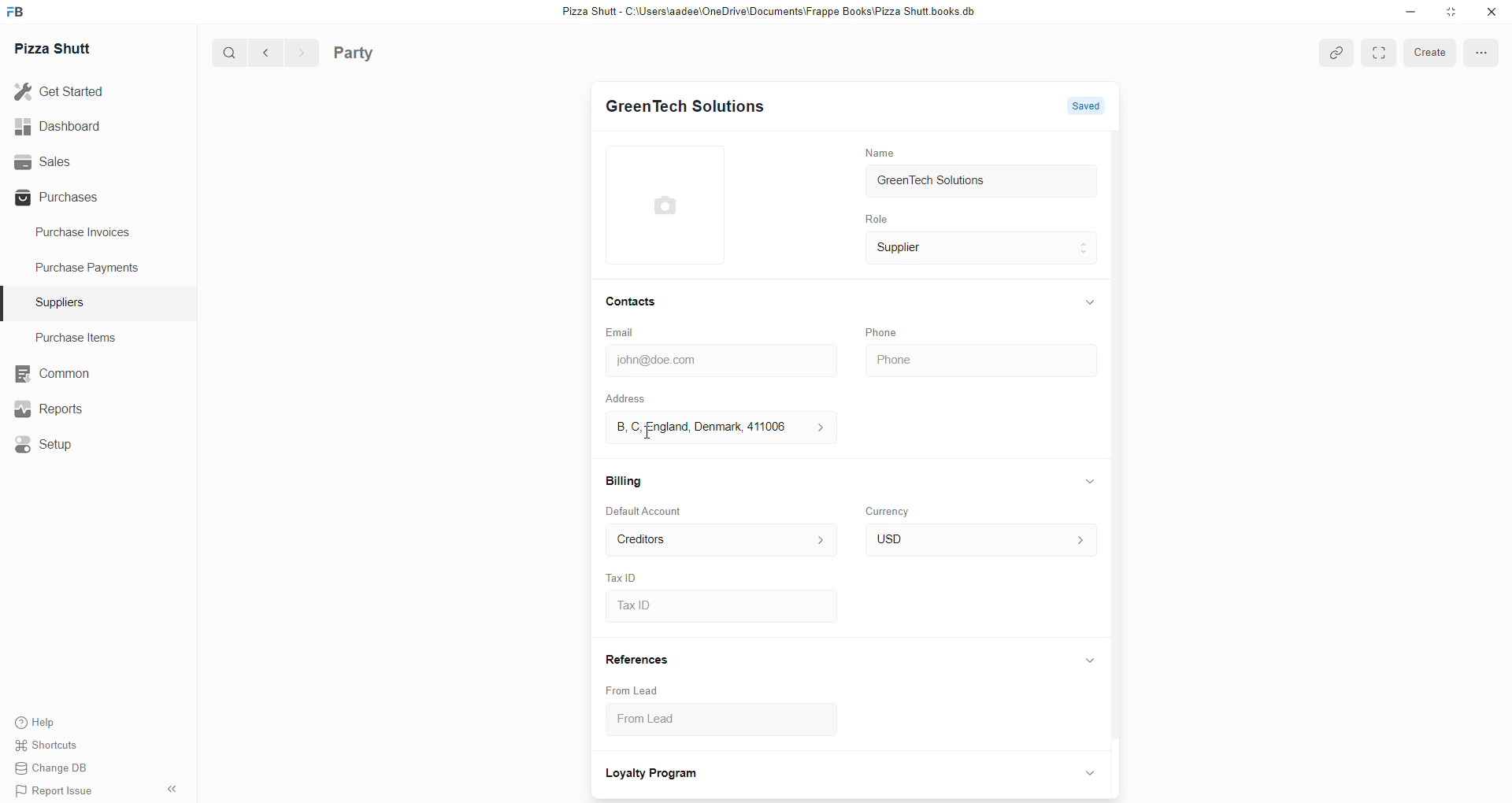 Image resolution: width=1512 pixels, height=803 pixels. What do you see at coordinates (51, 372) in the screenshot?
I see `‘Common` at bounding box center [51, 372].